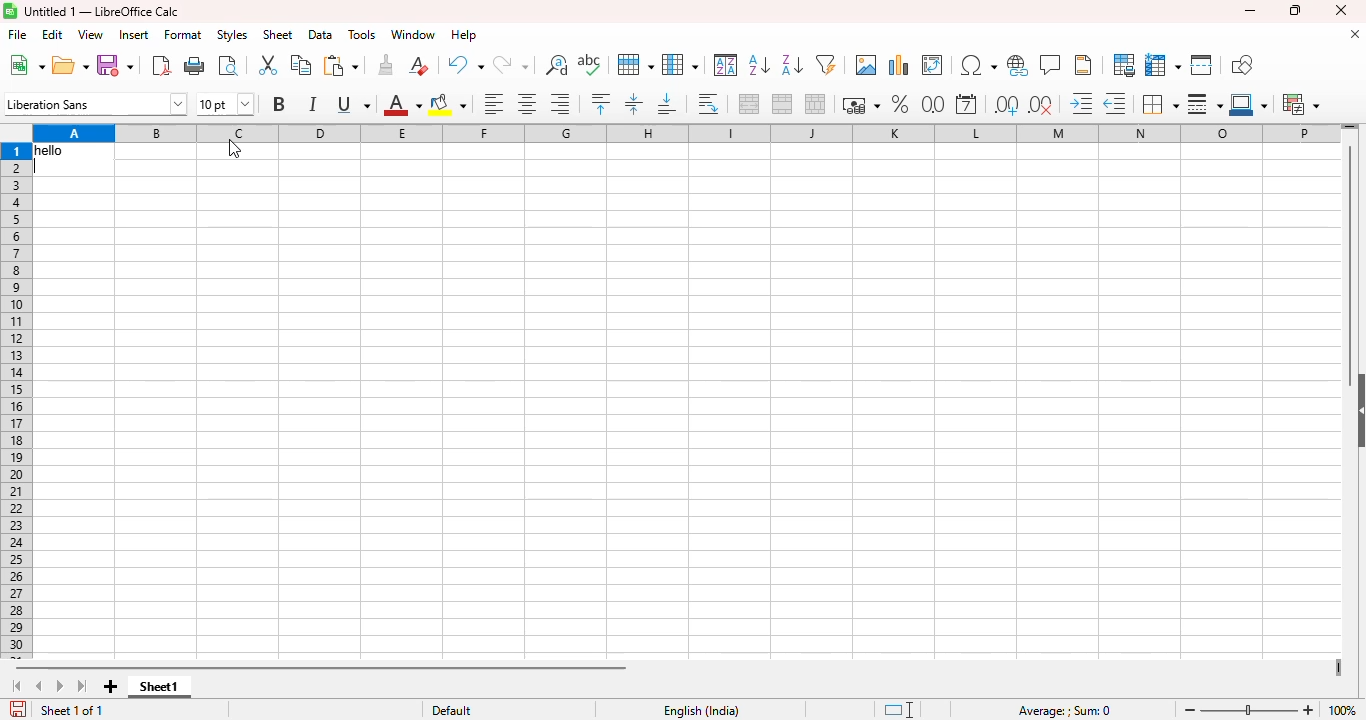  I want to click on align top, so click(600, 103).